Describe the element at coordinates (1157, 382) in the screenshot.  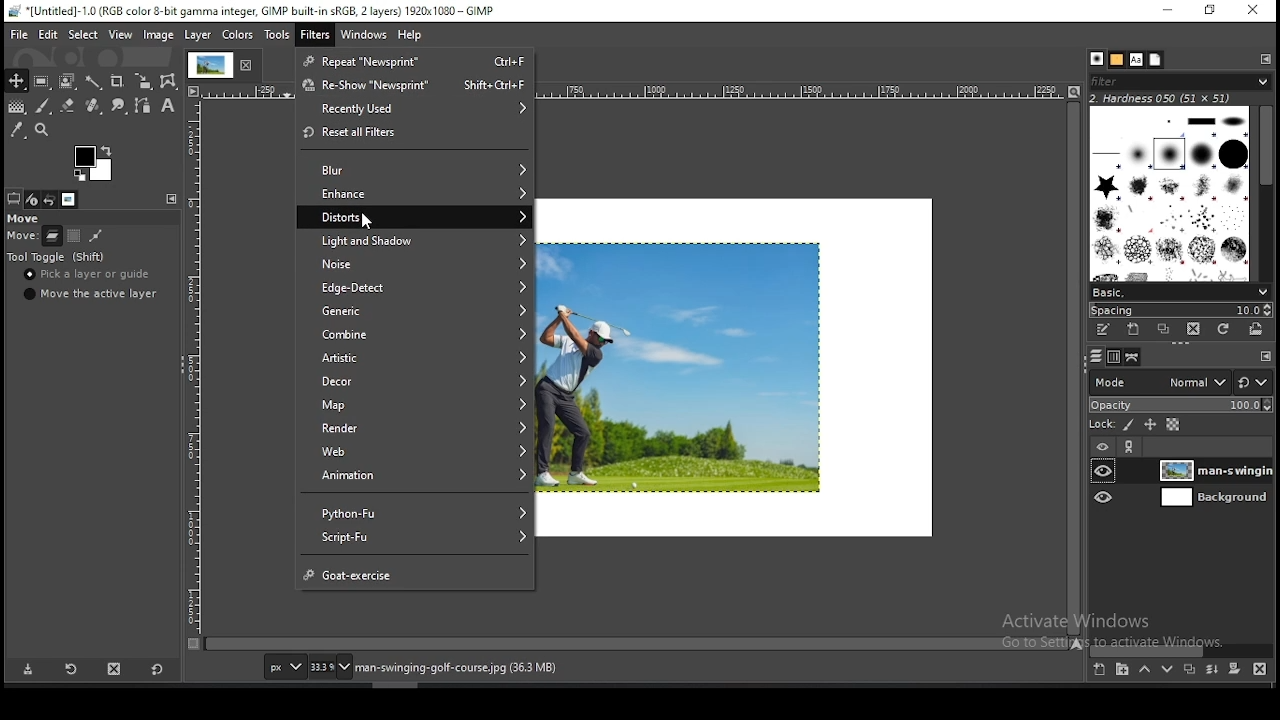
I see `blend mode` at that location.